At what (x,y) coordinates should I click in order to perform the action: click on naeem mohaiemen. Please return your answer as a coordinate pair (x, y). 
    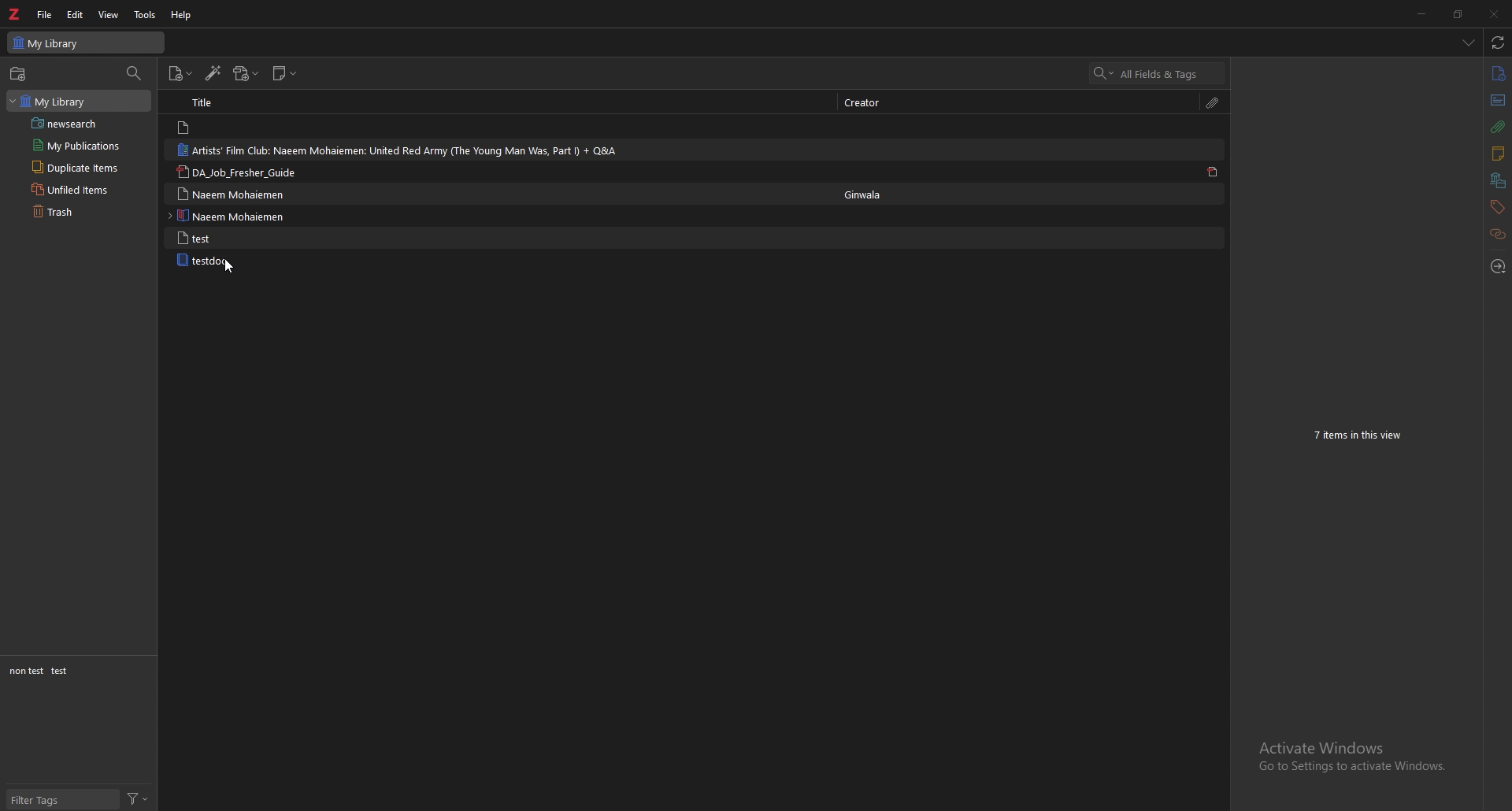
    Looking at the image, I should click on (231, 216).